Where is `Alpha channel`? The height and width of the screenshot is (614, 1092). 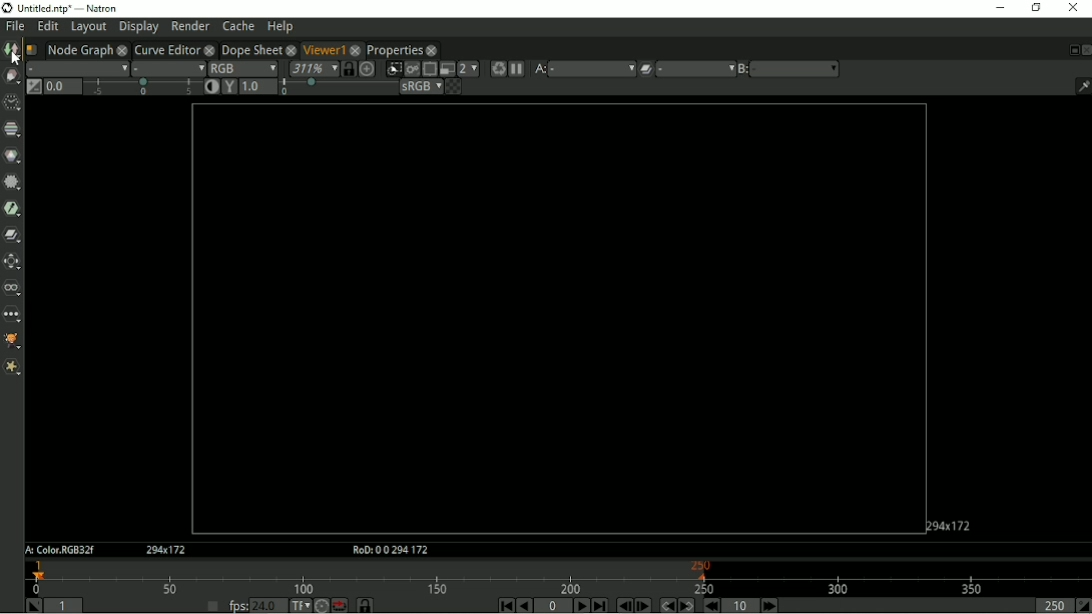 Alpha channel is located at coordinates (169, 68).